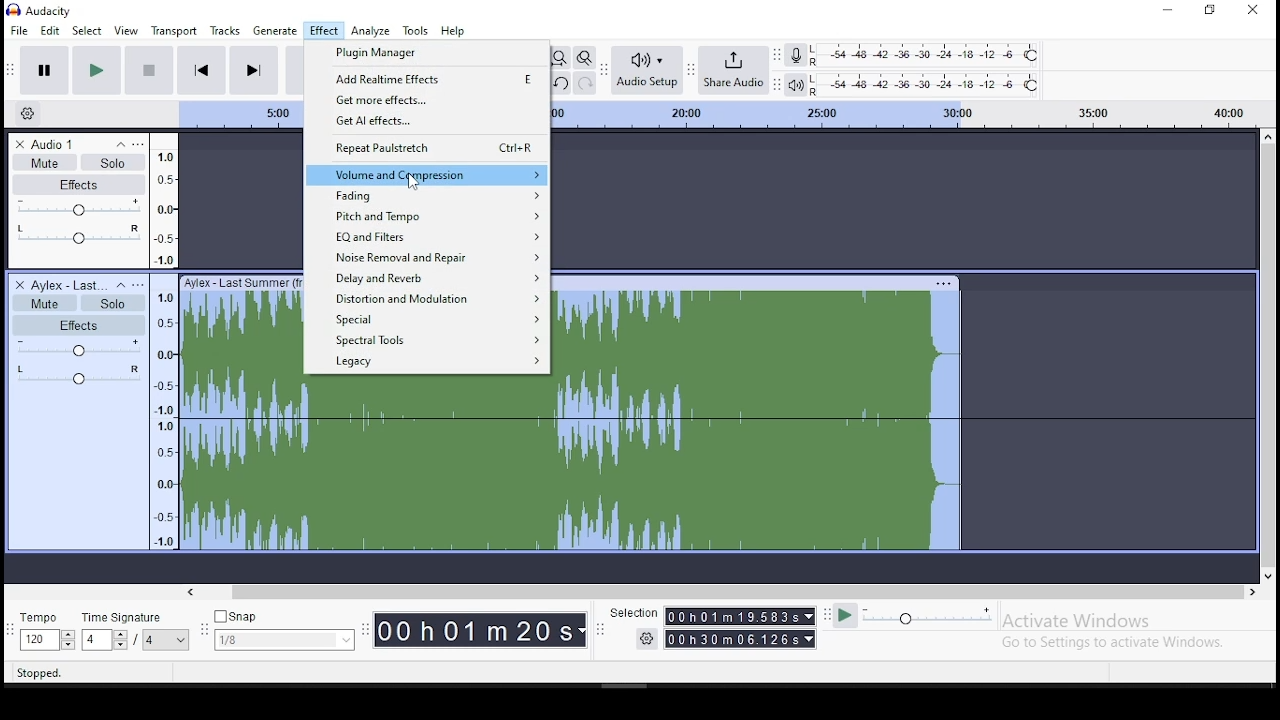 This screenshot has width=1280, height=720. I want to click on spectral tools, so click(433, 339).